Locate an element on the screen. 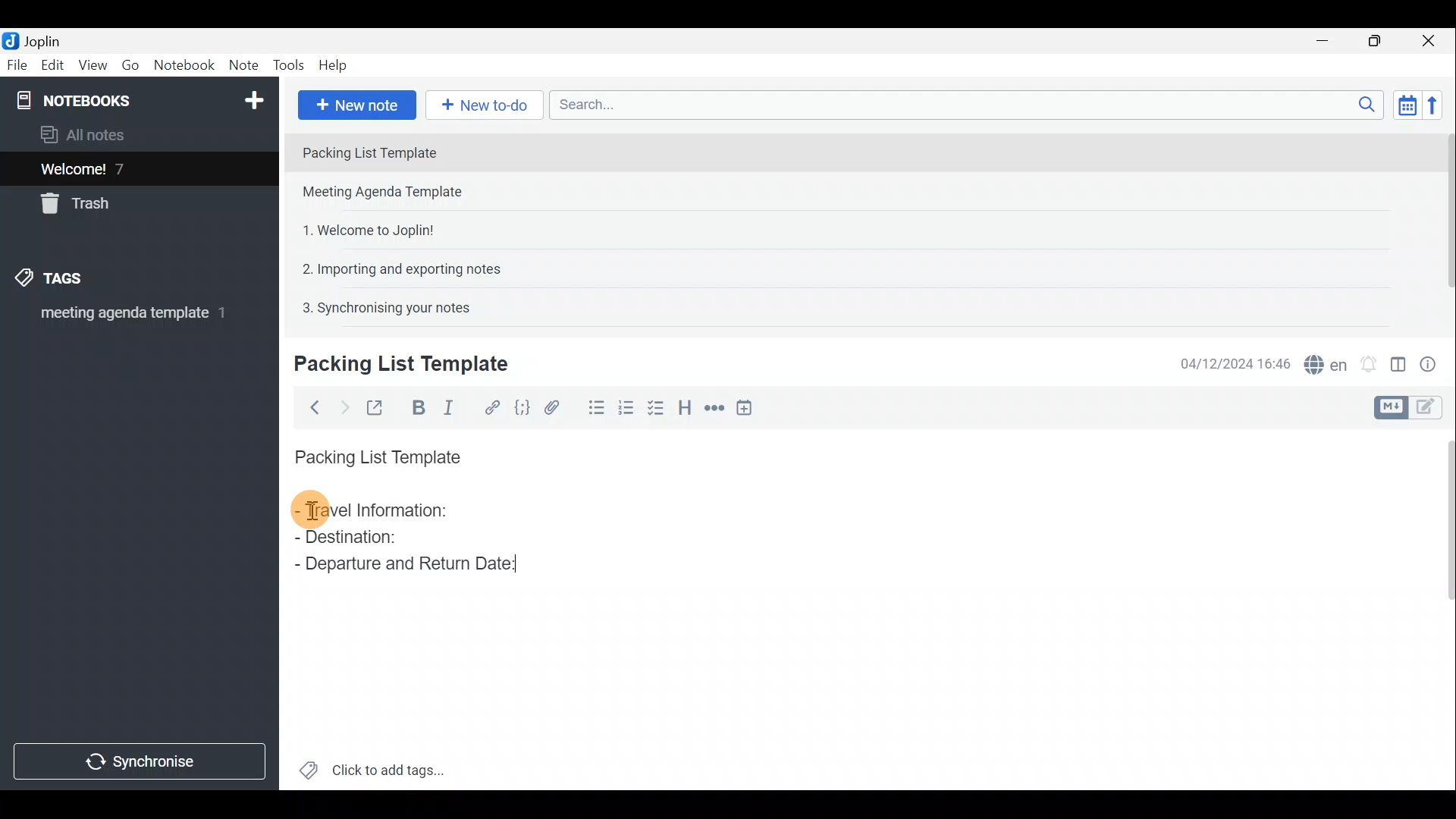  Welcome is located at coordinates (116, 168).